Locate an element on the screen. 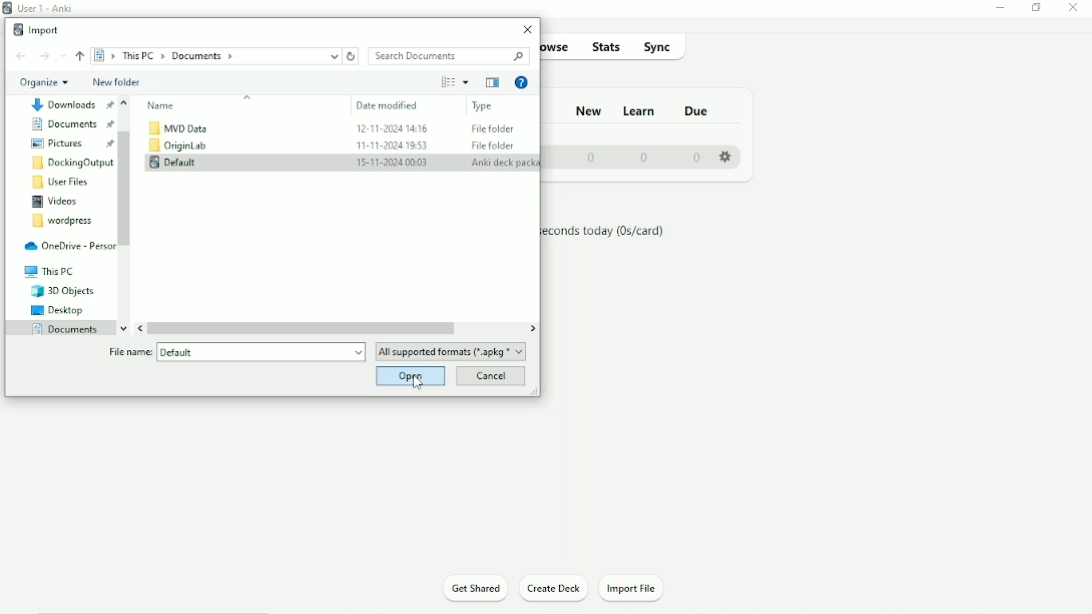 Image resolution: width=1092 pixels, height=614 pixels. 0 is located at coordinates (645, 157).